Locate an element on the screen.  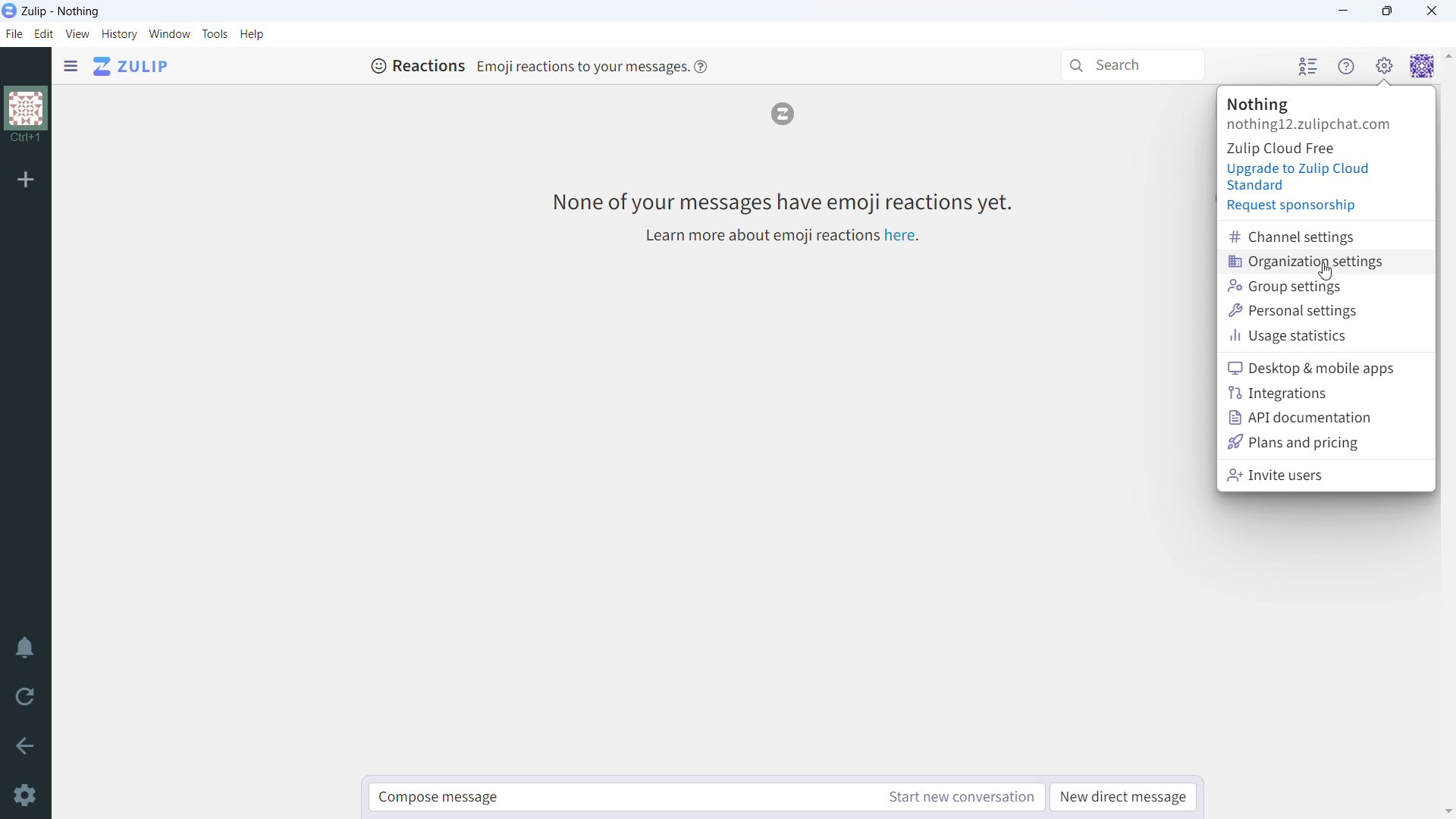
view is located at coordinates (78, 34).